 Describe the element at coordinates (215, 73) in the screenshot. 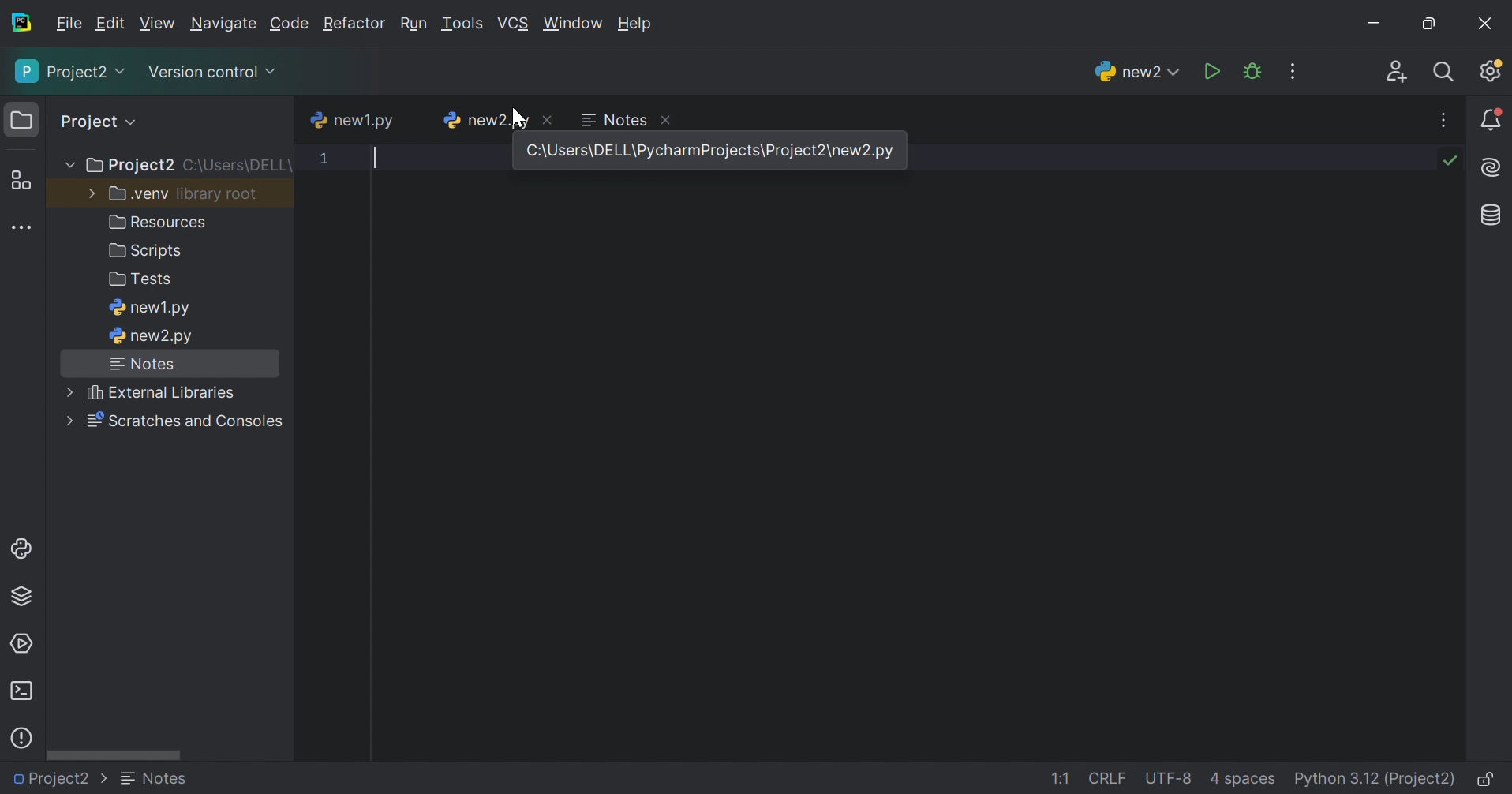

I see `Version control` at that location.